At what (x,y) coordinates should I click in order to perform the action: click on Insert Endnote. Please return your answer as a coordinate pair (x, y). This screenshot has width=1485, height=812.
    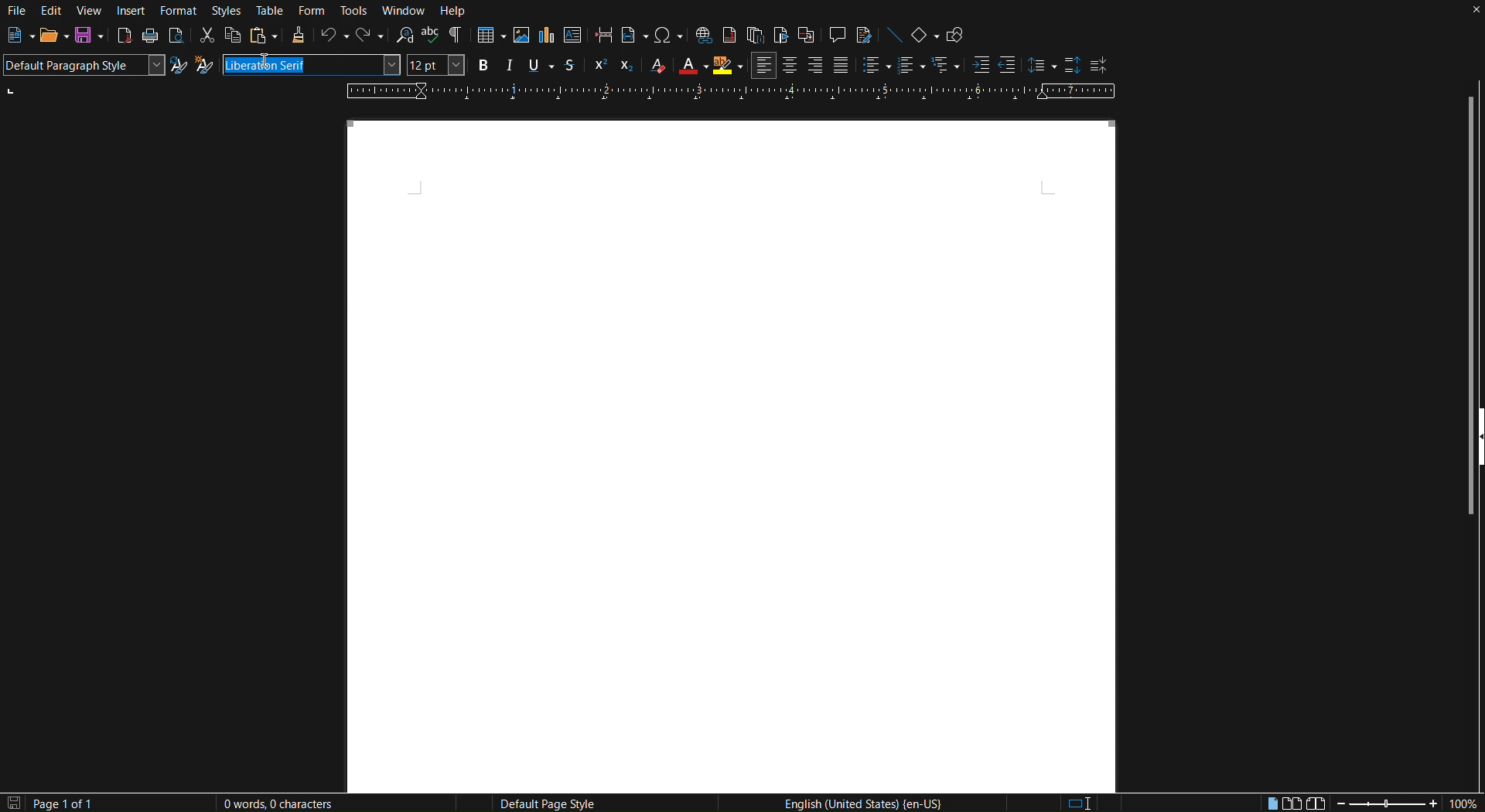
    Looking at the image, I should click on (754, 37).